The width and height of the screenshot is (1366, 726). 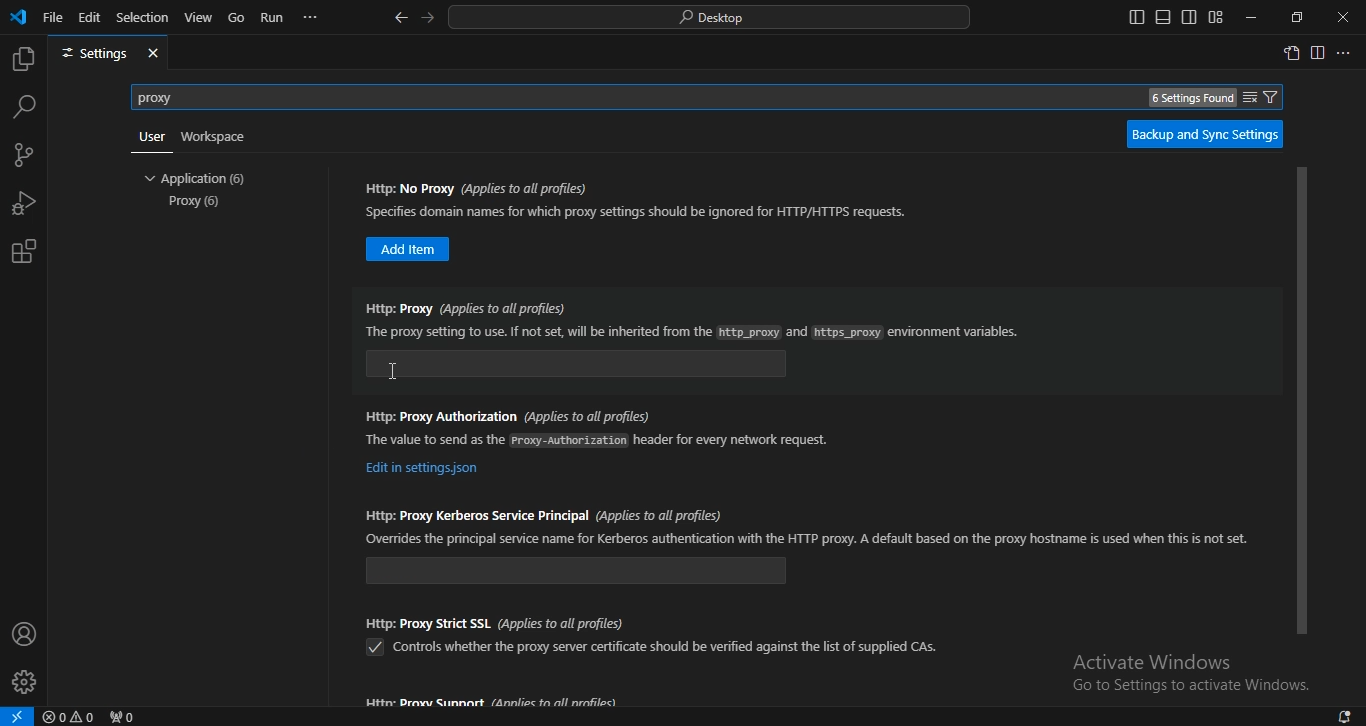 What do you see at coordinates (577, 570) in the screenshot?
I see `https: proxy kerberos service principal` at bounding box center [577, 570].